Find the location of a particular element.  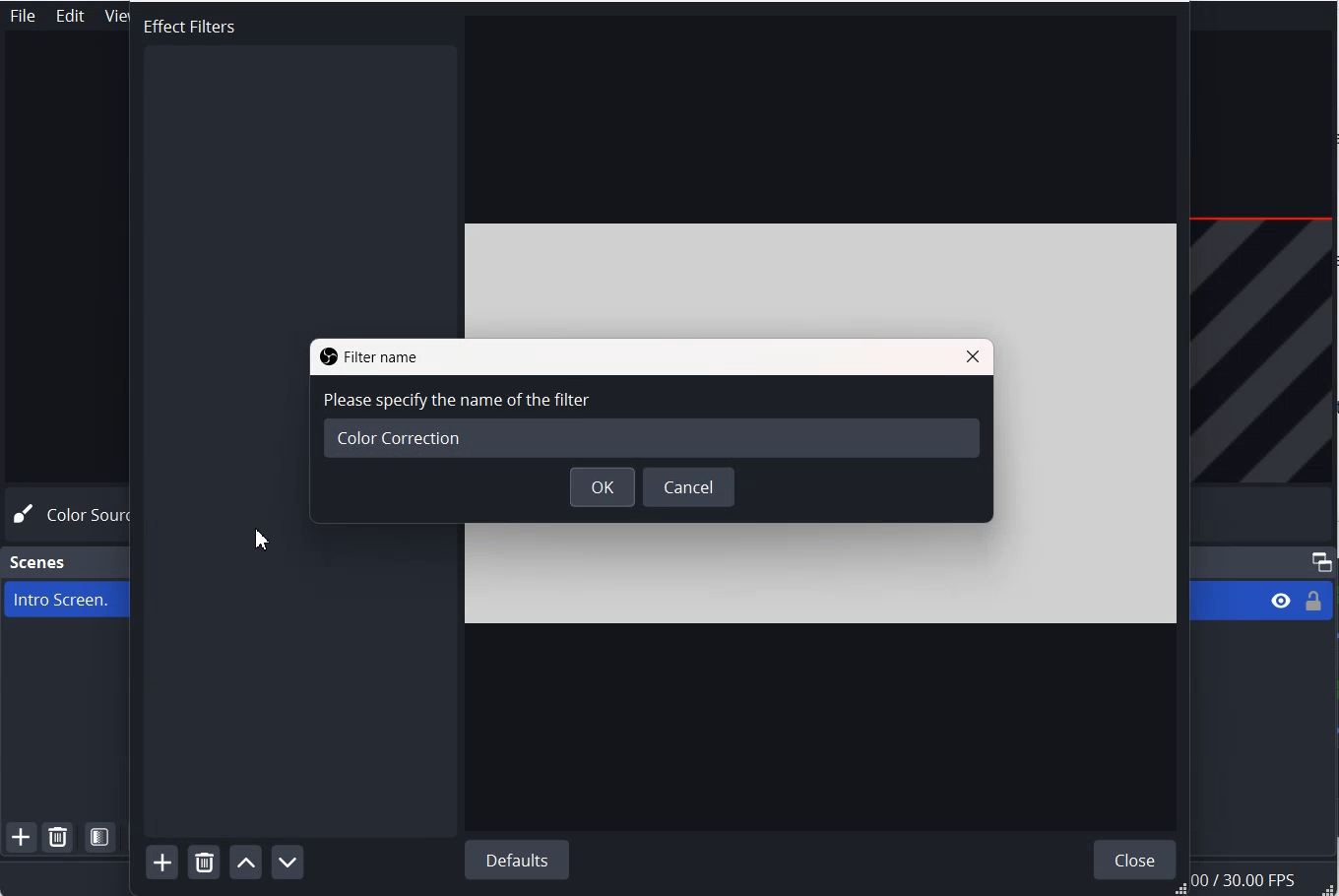

Add Scene is located at coordinates (21, 838).